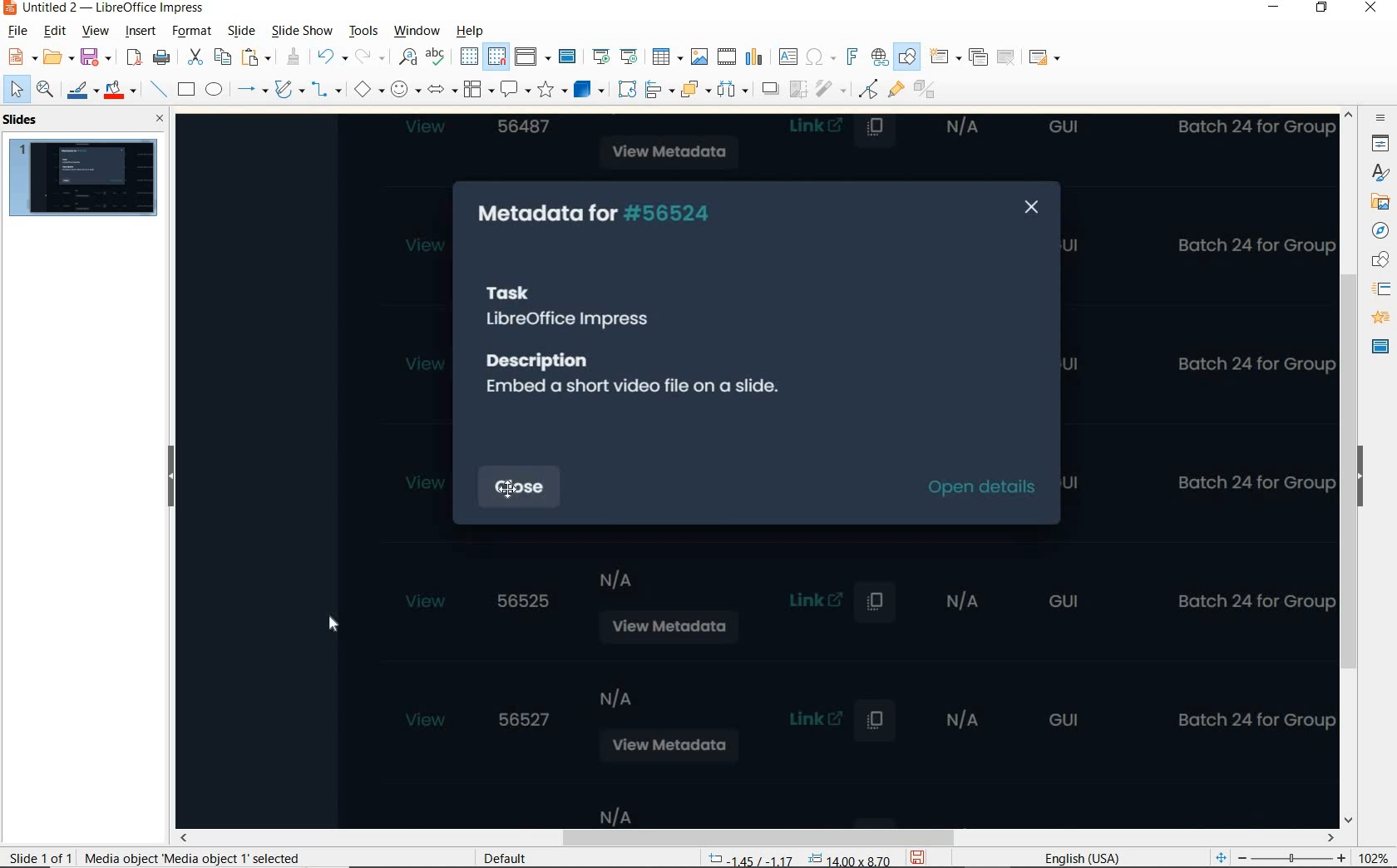 This screenshot has height=868, width=1397. What do you see at coordinates (368, 88) in the screenshot?
I see `BASIC SHAPES` at bounding box center [368, 88].